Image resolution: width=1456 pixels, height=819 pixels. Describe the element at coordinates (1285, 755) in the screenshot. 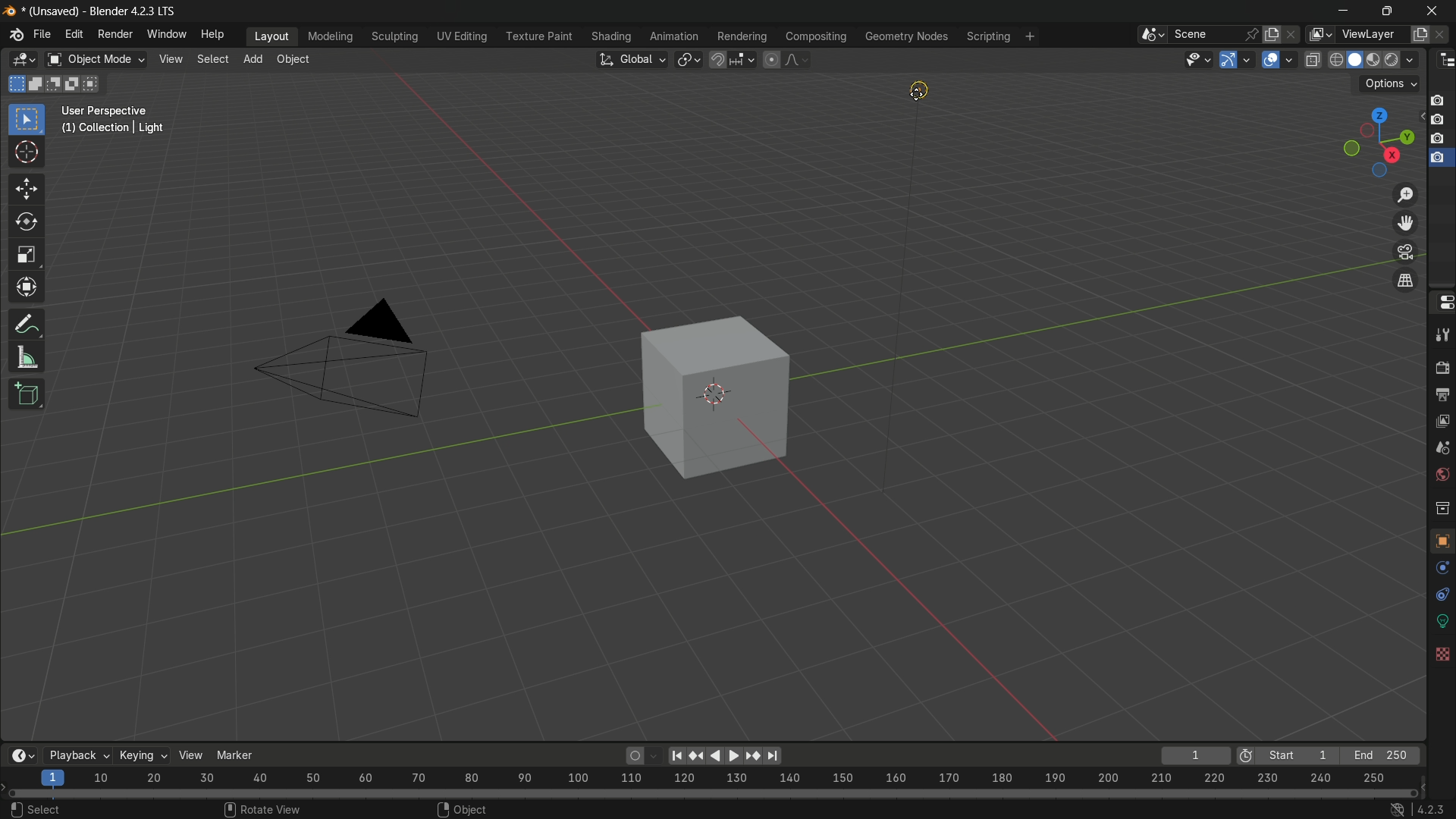

I see `start` at that location.